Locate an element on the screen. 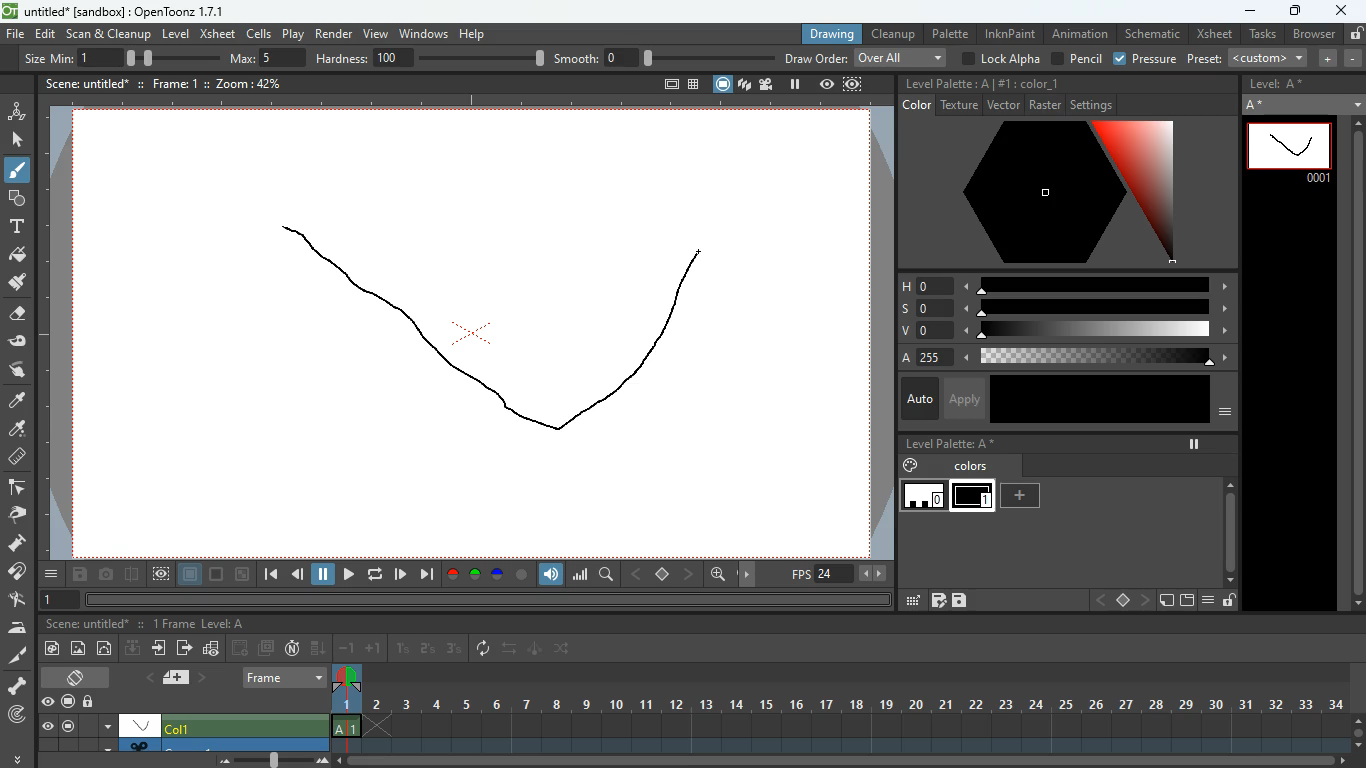 The height and width of the screenshot is (768, 1366). expand is located at coordinates (1355, 101).